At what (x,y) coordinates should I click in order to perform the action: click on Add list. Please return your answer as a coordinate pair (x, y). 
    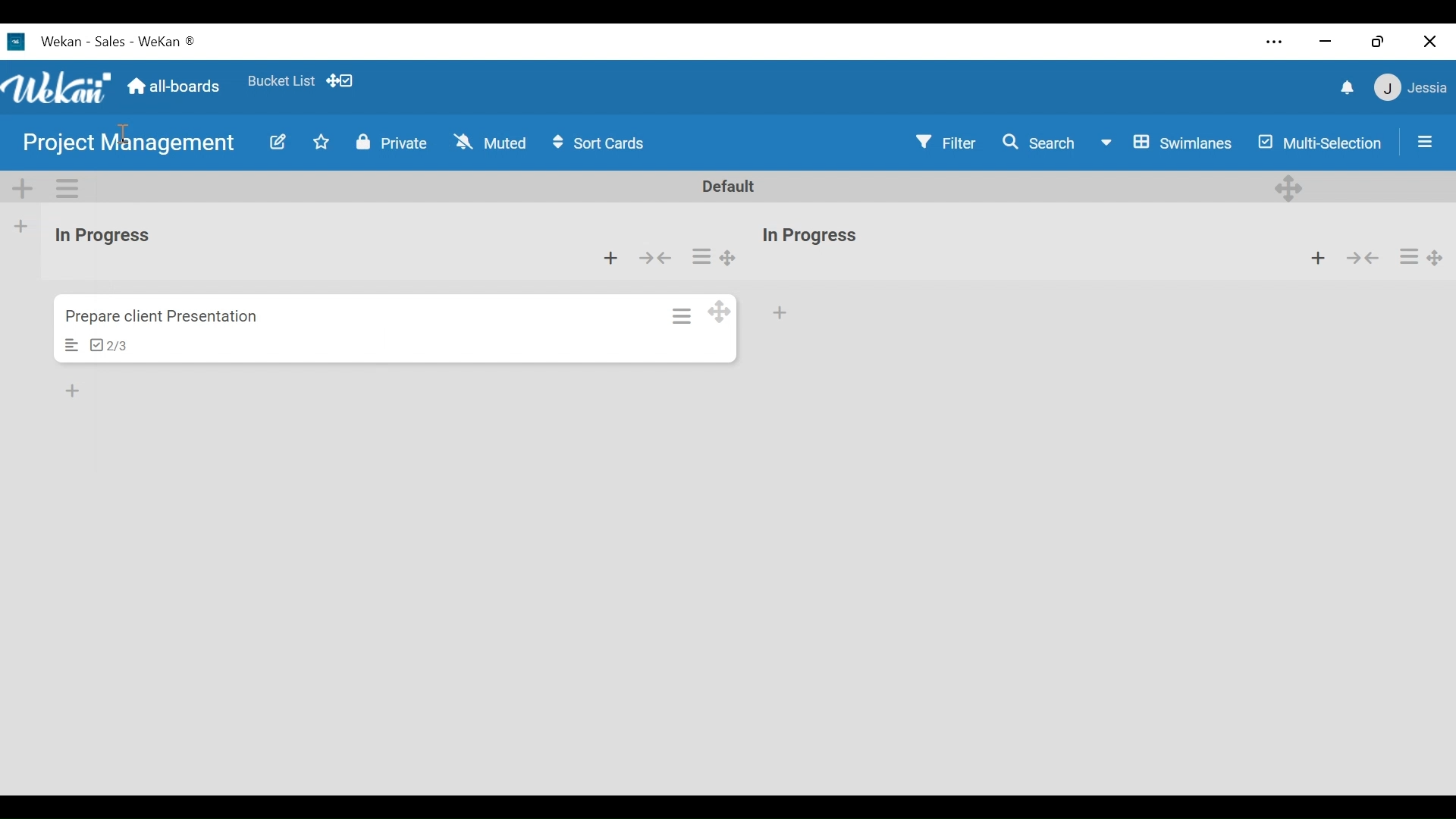
    Looking at the image, I should click on (21, 227).